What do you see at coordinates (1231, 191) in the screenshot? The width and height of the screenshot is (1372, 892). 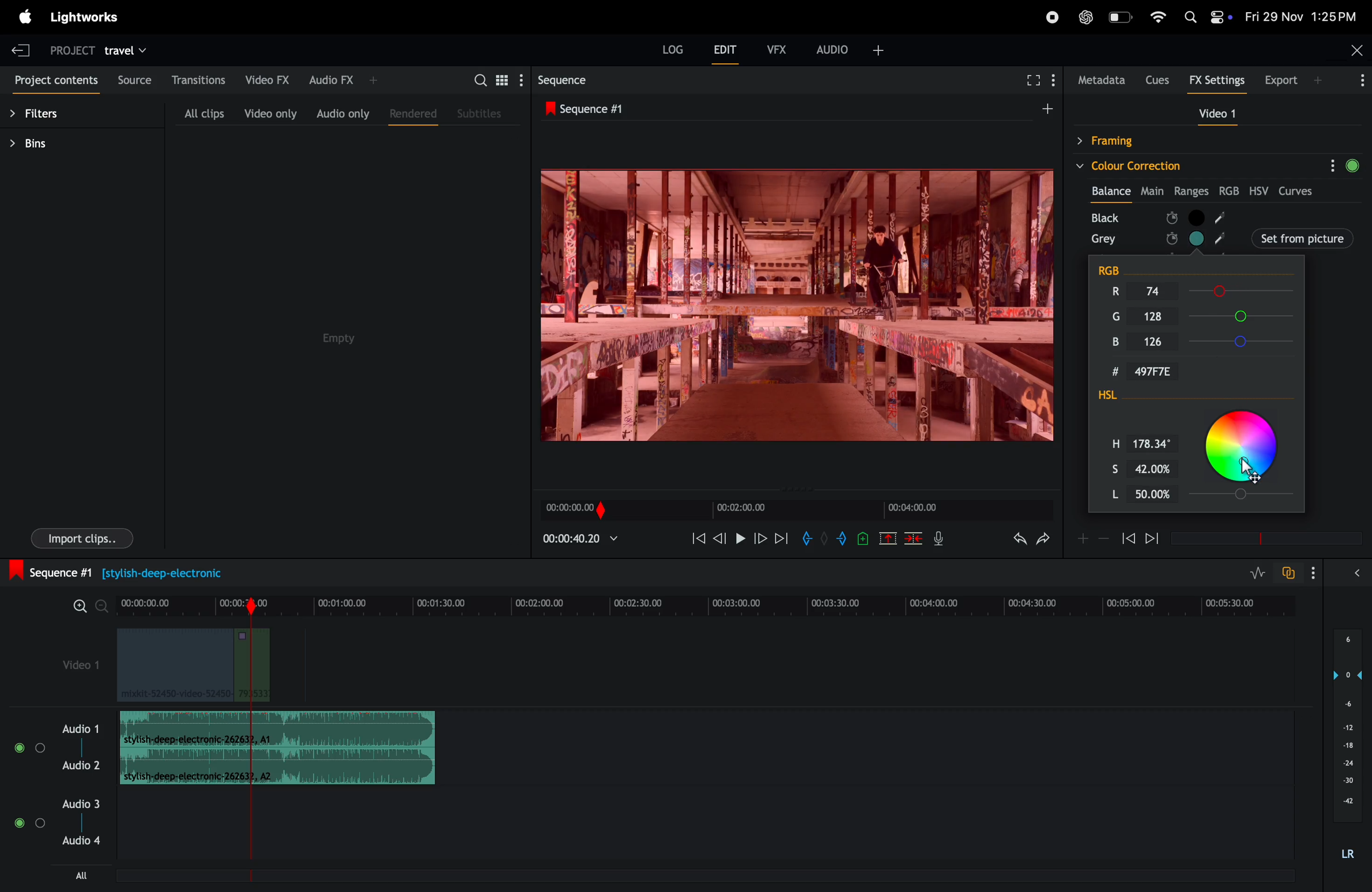 I see `rgb` at bounding box center [1231, 191].